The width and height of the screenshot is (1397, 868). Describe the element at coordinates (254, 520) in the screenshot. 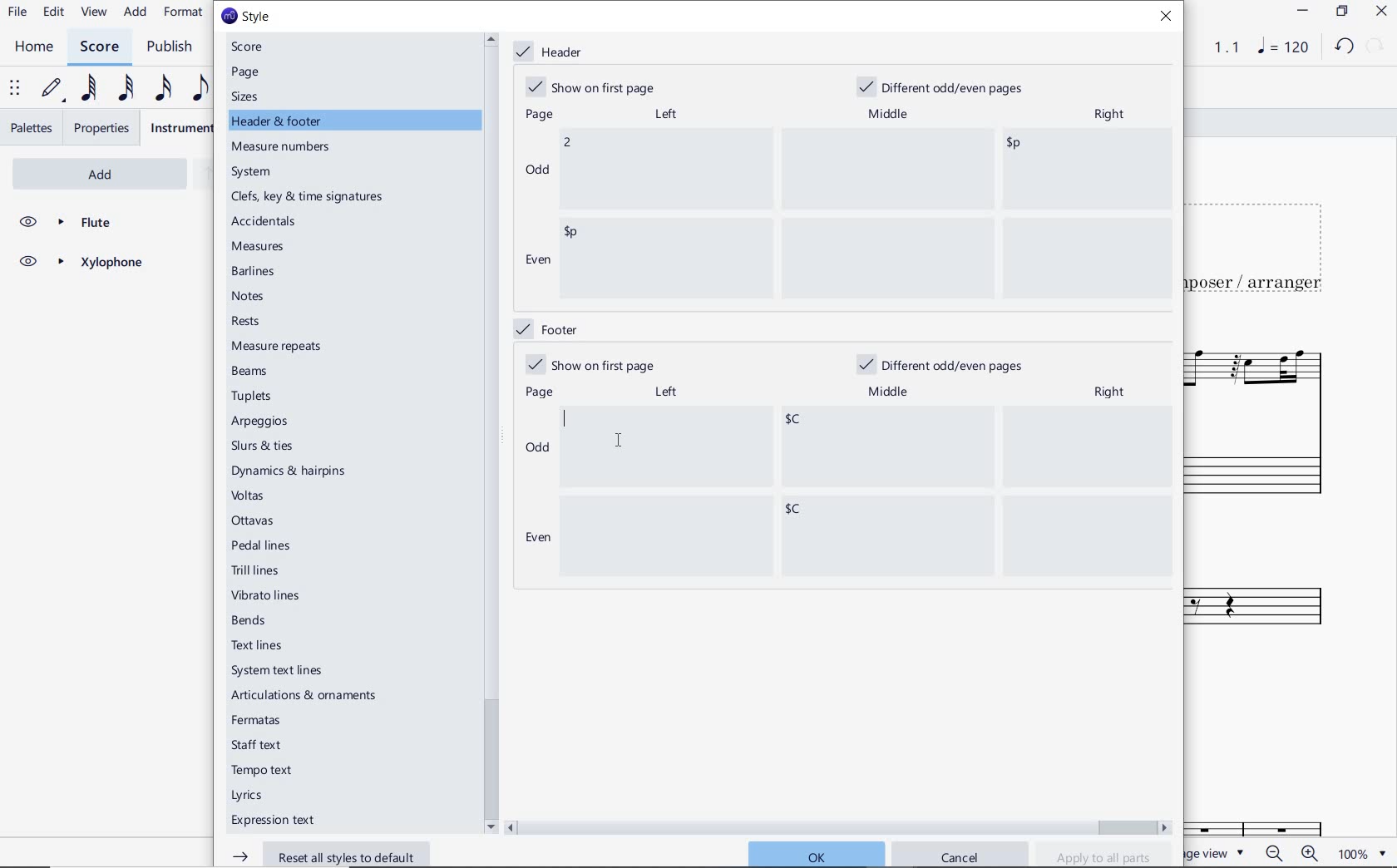

I see `ottavas` at that location.